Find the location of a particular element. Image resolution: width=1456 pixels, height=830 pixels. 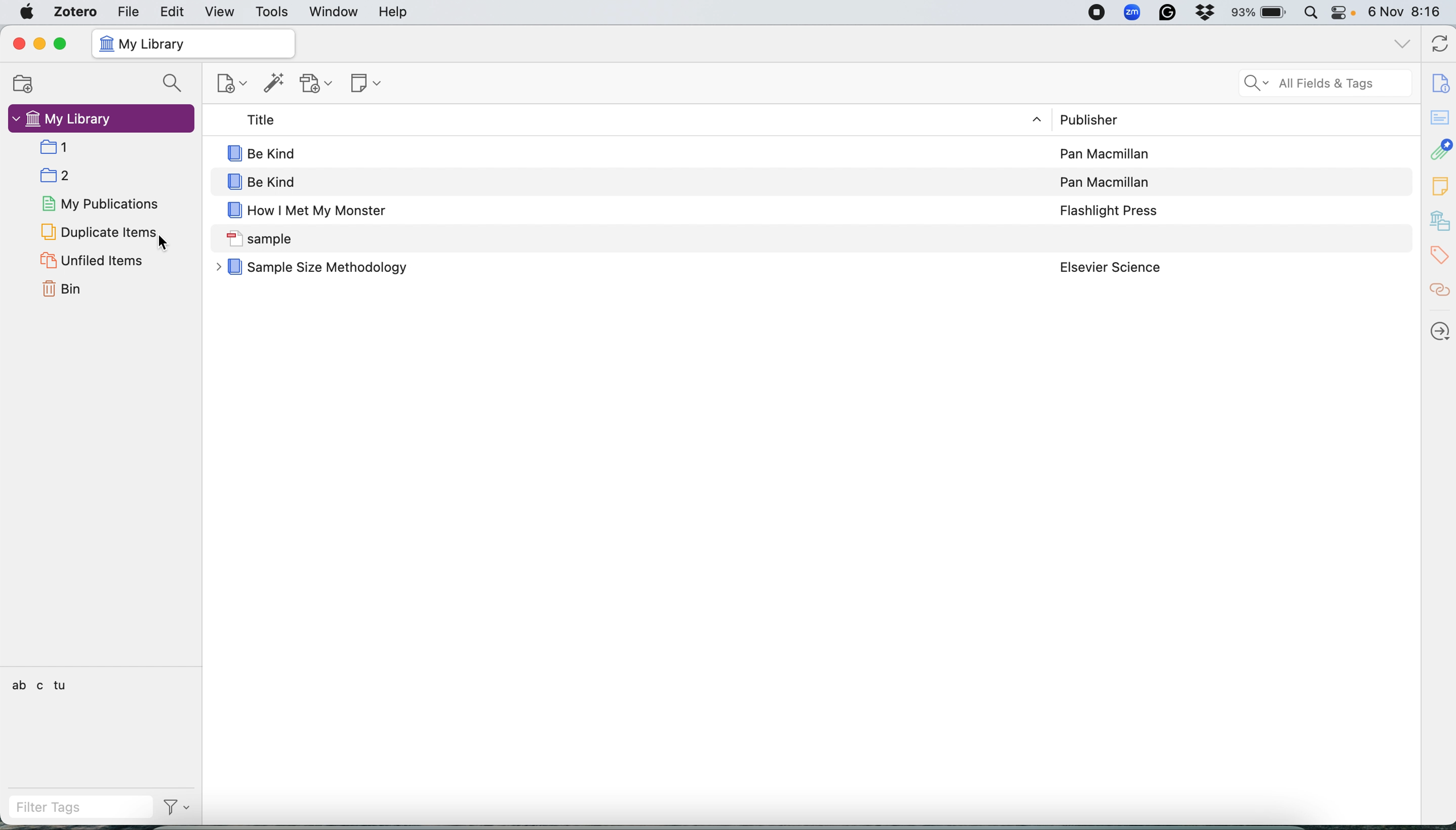

help is located at coordinates (395, 12).